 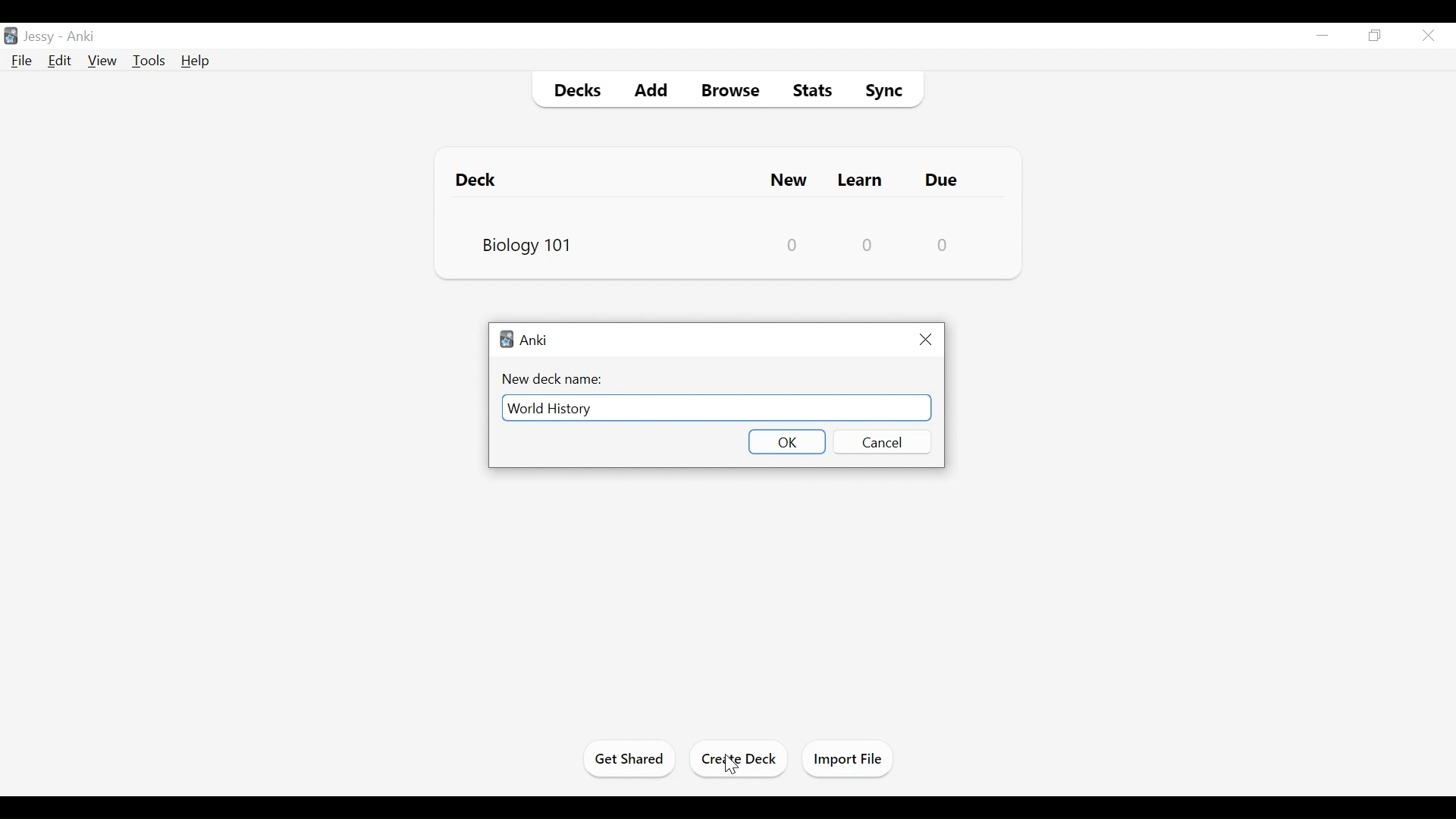 I want to click on Close, so click(x=923, y=340).